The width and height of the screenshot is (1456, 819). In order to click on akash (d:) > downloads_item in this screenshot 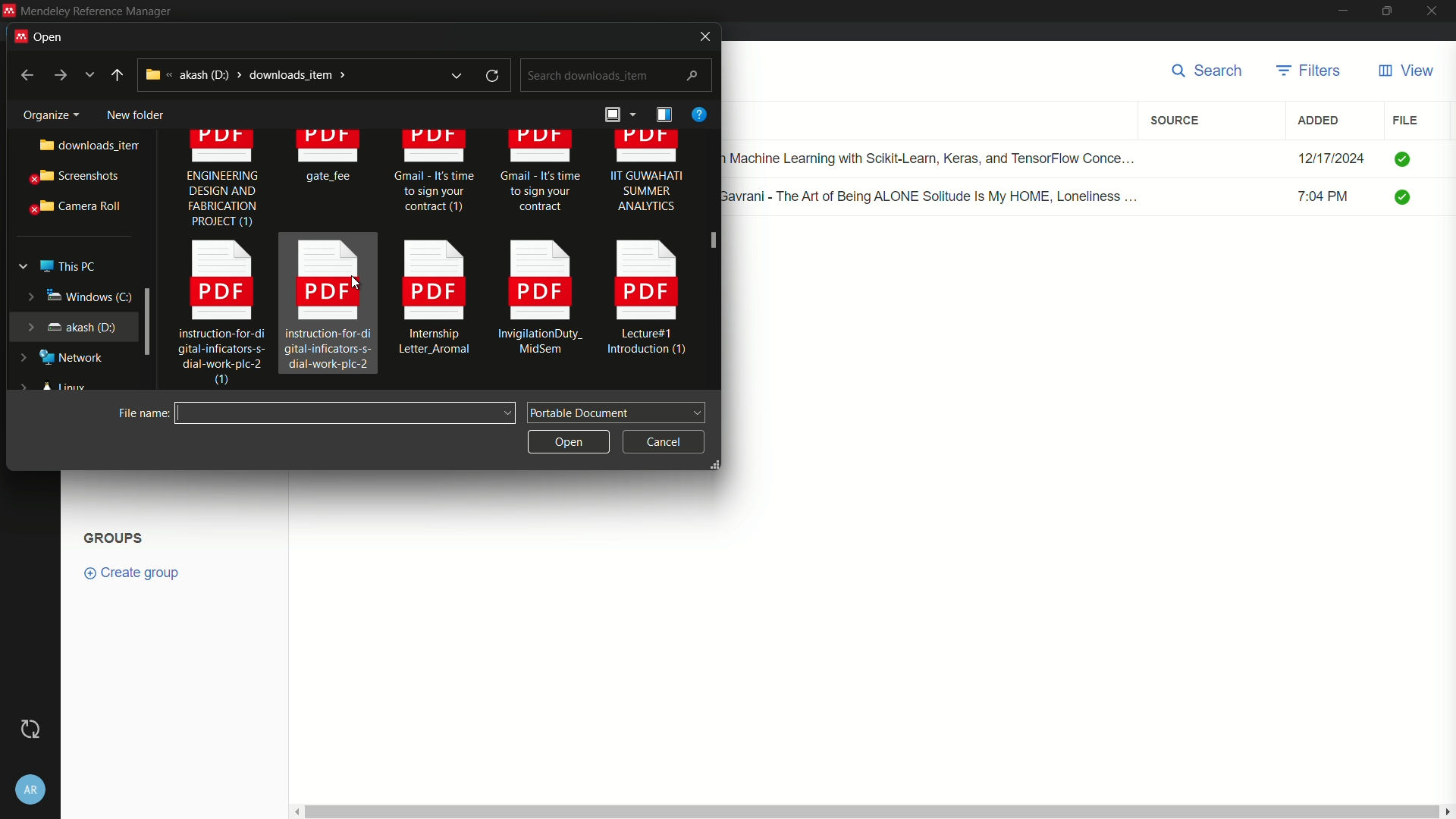, I will do `click(277, 74)`.